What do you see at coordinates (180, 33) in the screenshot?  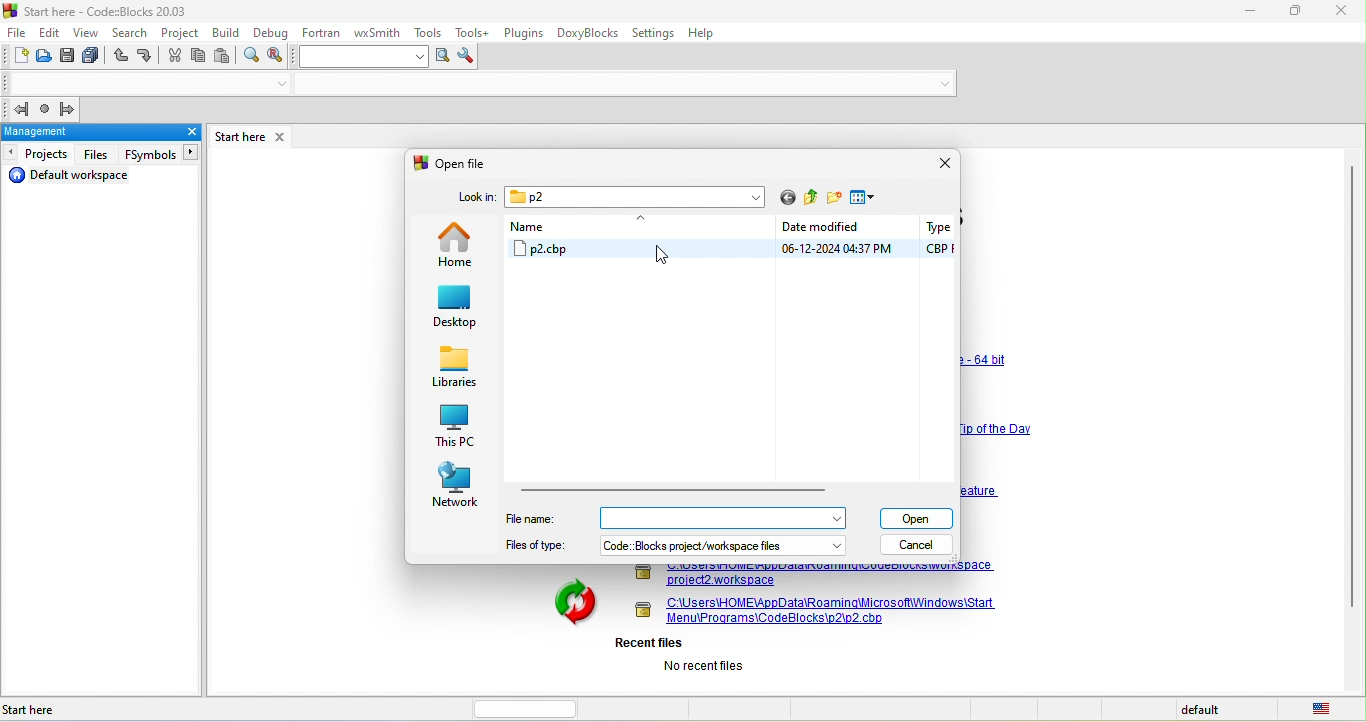 I see `project` at bounding box center [180, 33].